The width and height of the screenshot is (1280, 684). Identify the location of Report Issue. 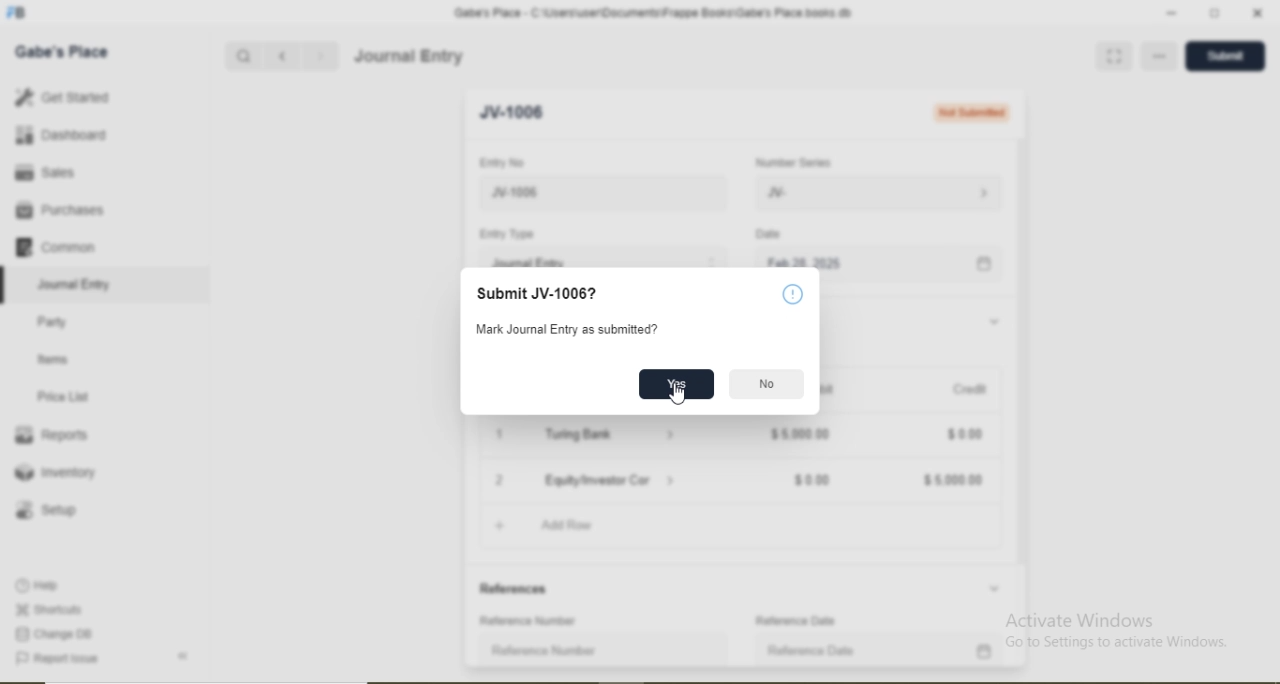
(56, 659).